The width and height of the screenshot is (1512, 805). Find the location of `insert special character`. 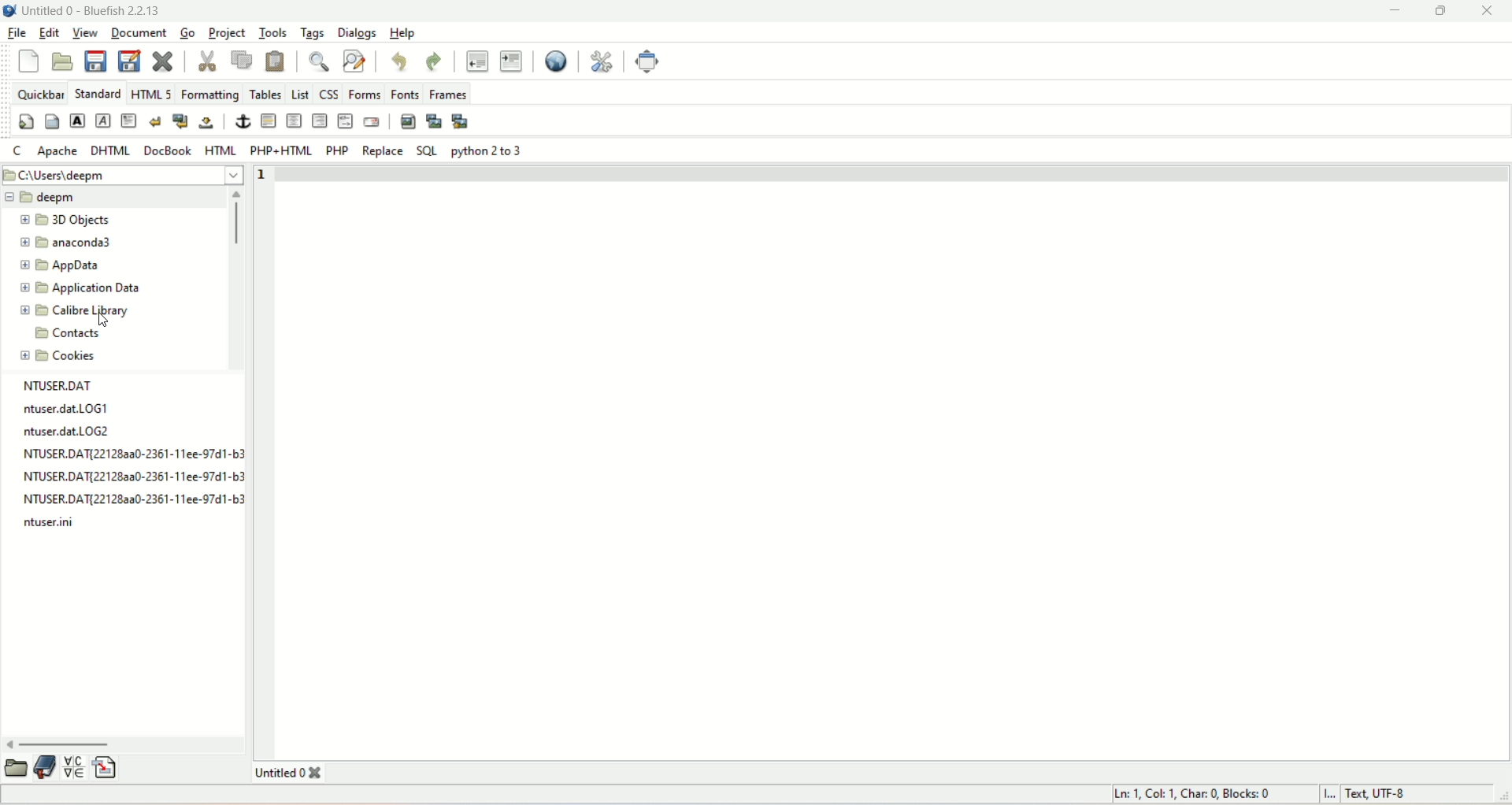

insert special character is located at coordinates (74, 768).